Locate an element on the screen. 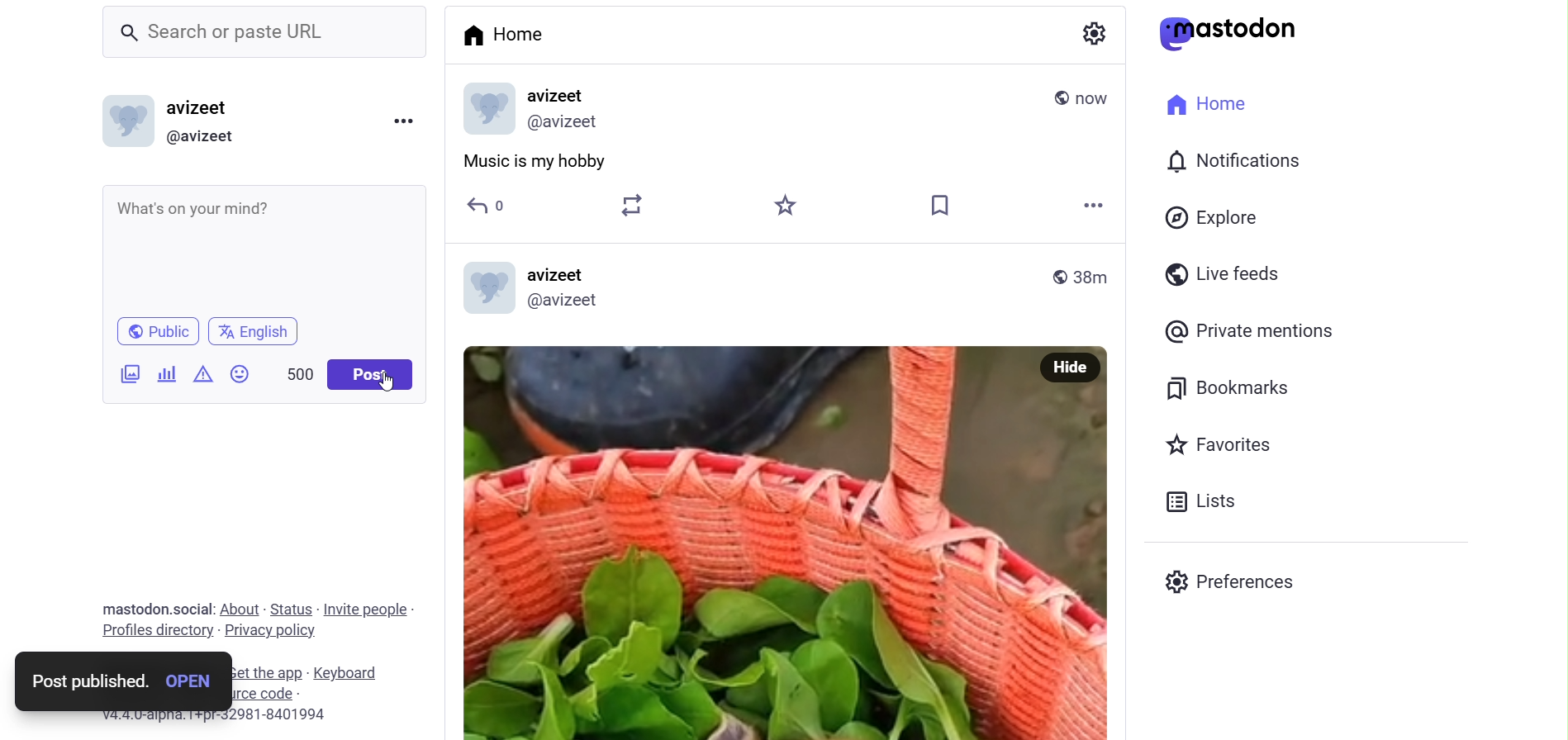 This screenshot has width=1568, height=740. Bookmarks is located at coordinates (1227, 391).